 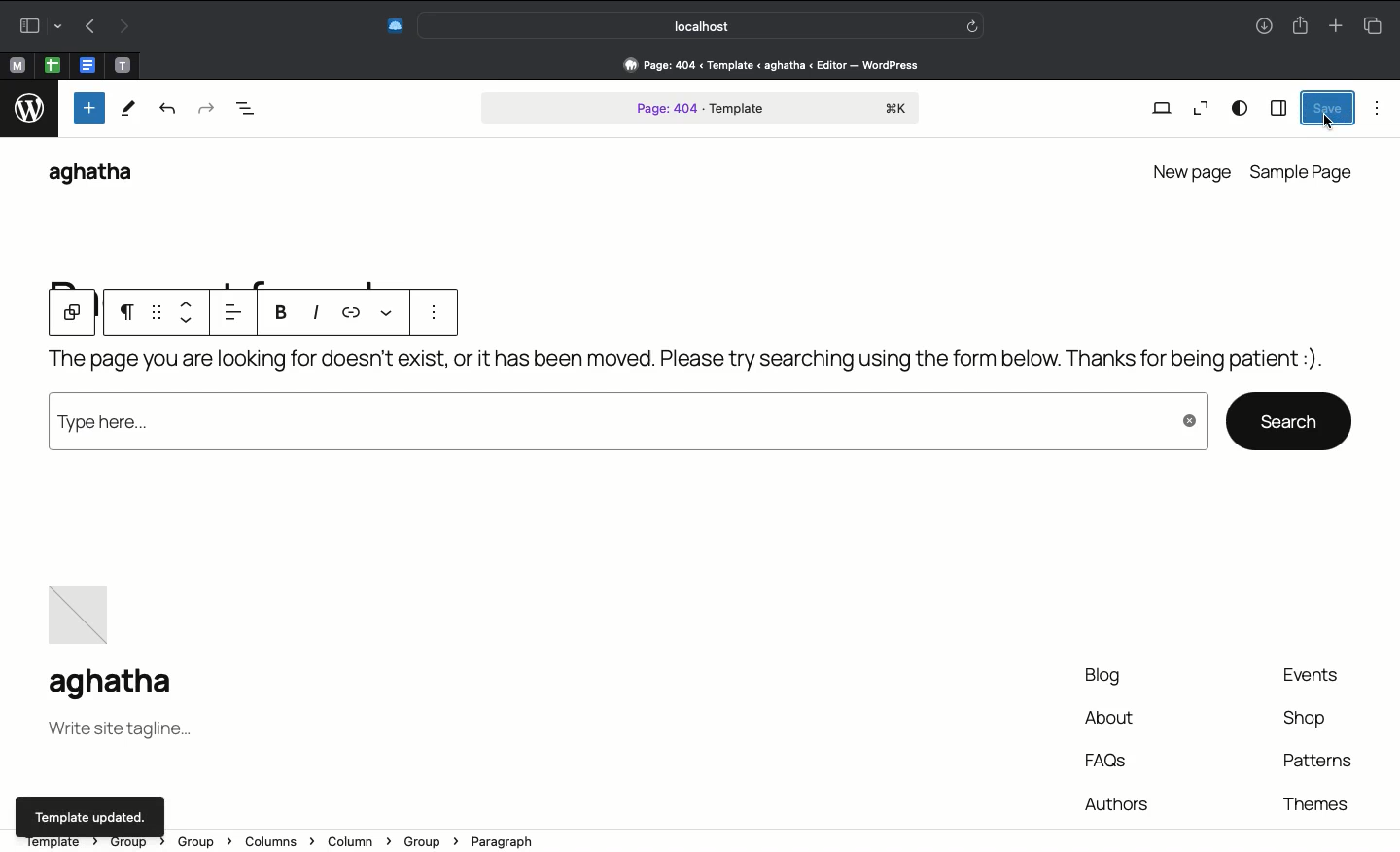 What do you see at coordinates (72, 314) in the screenshot?
I see `Group` at bounding box center [72, 314].